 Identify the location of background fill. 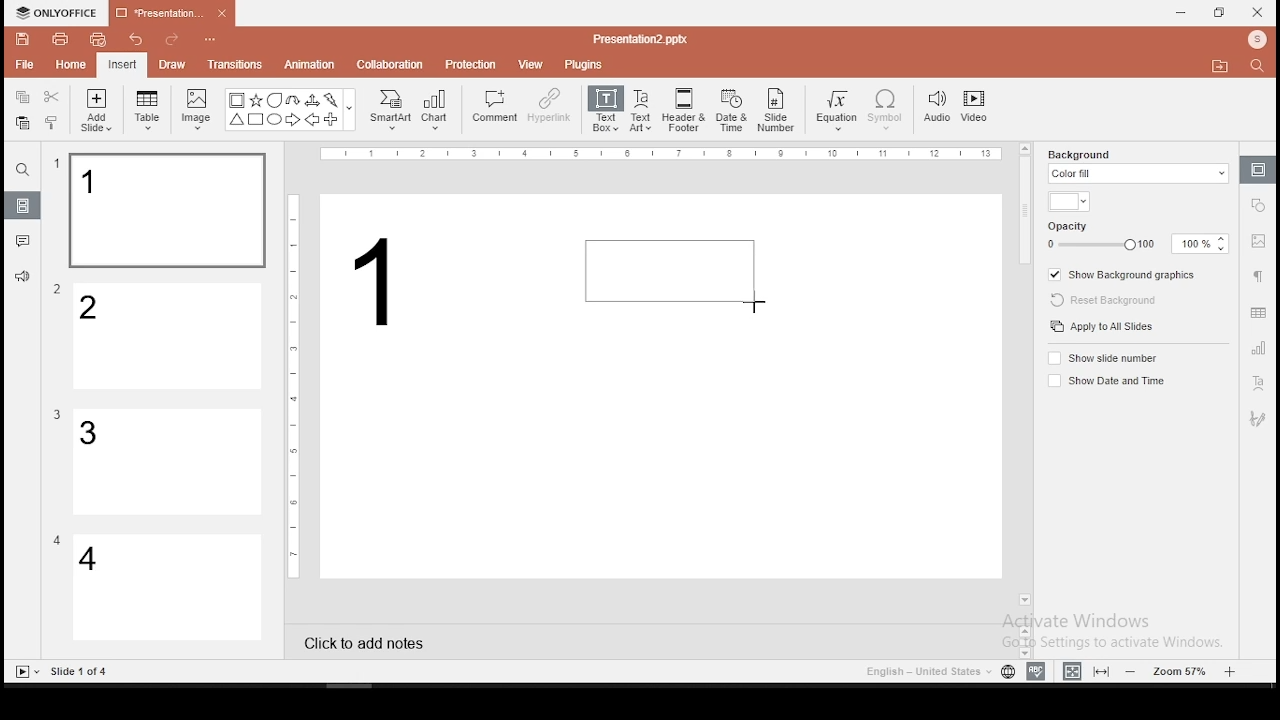
(1136, 164).